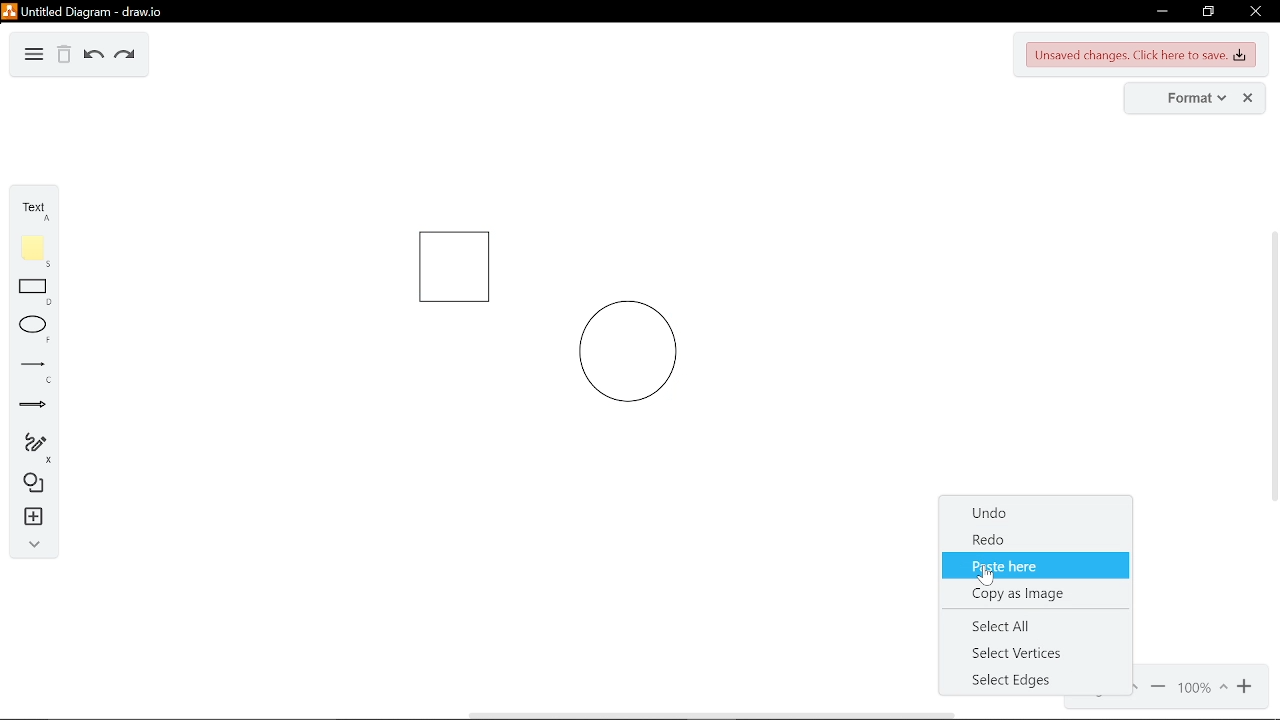  I want to click on format, so click(1183, 98).